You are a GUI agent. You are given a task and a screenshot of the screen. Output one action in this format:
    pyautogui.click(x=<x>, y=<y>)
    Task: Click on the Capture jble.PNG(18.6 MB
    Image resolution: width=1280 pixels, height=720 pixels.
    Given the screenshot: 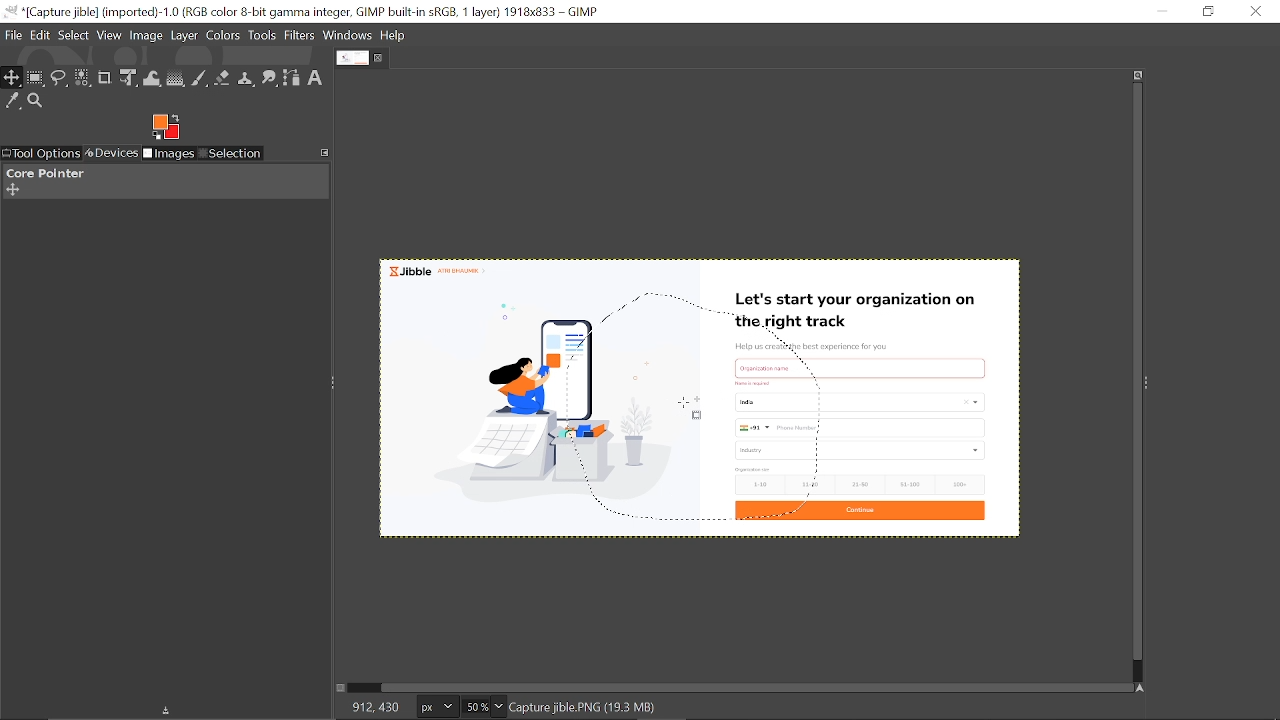 What is the action you would take?
    pyautogui.click(x=585, y=706)
    